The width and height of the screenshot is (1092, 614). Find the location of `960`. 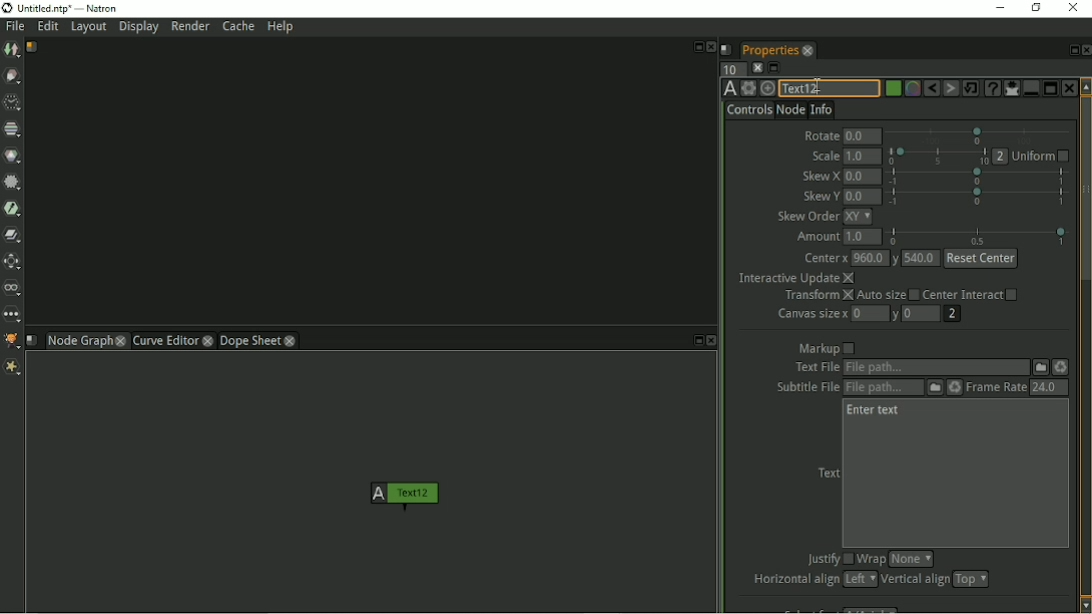

960 is located at coordinates (869, 257).